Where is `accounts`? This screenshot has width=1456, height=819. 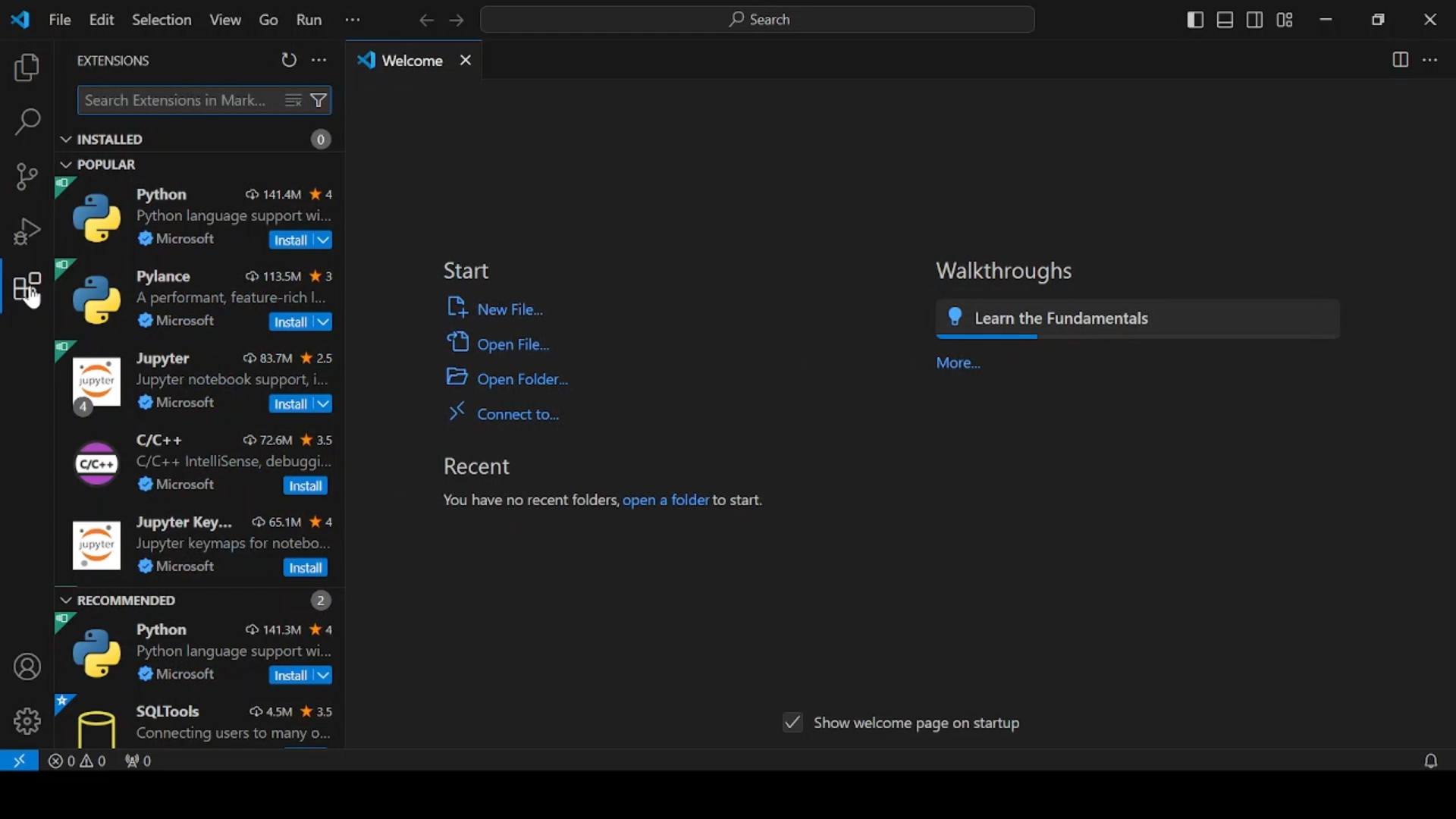 accounts is located at coordinates (24, 665).